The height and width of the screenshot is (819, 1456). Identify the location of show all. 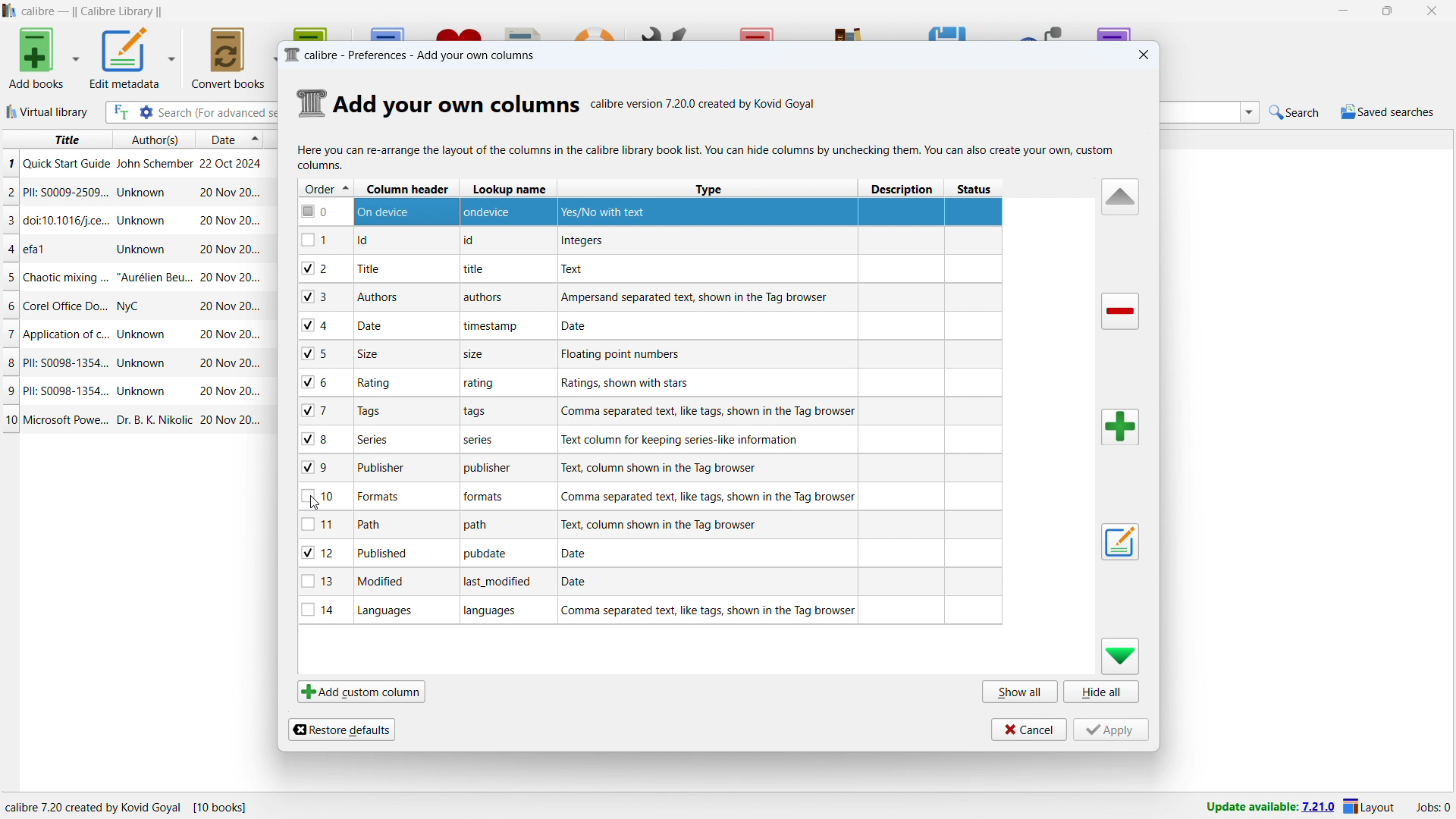
(1019, 691).